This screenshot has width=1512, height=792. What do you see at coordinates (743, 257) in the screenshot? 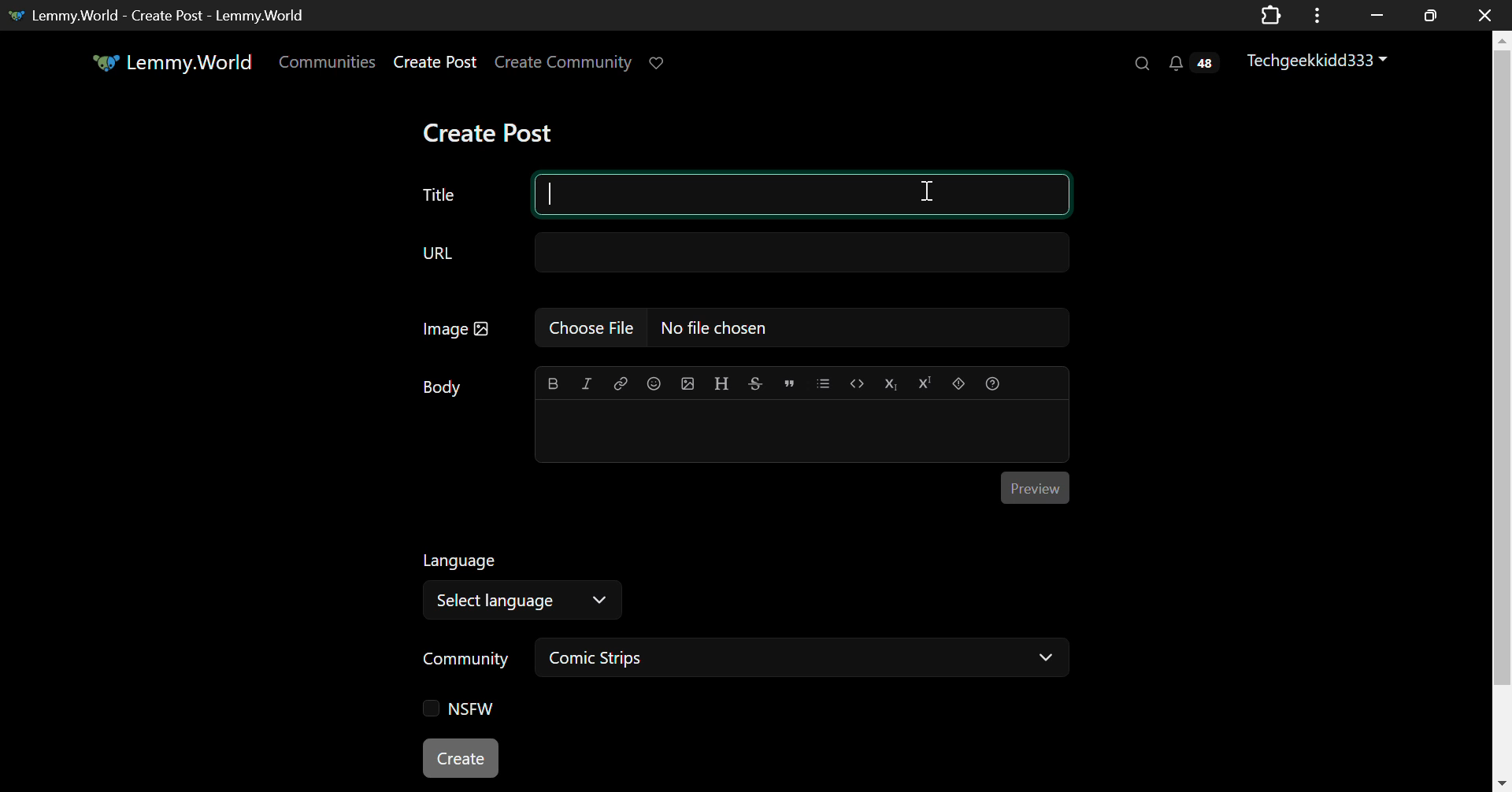
I see `URL` at bounding box center [743, 257].